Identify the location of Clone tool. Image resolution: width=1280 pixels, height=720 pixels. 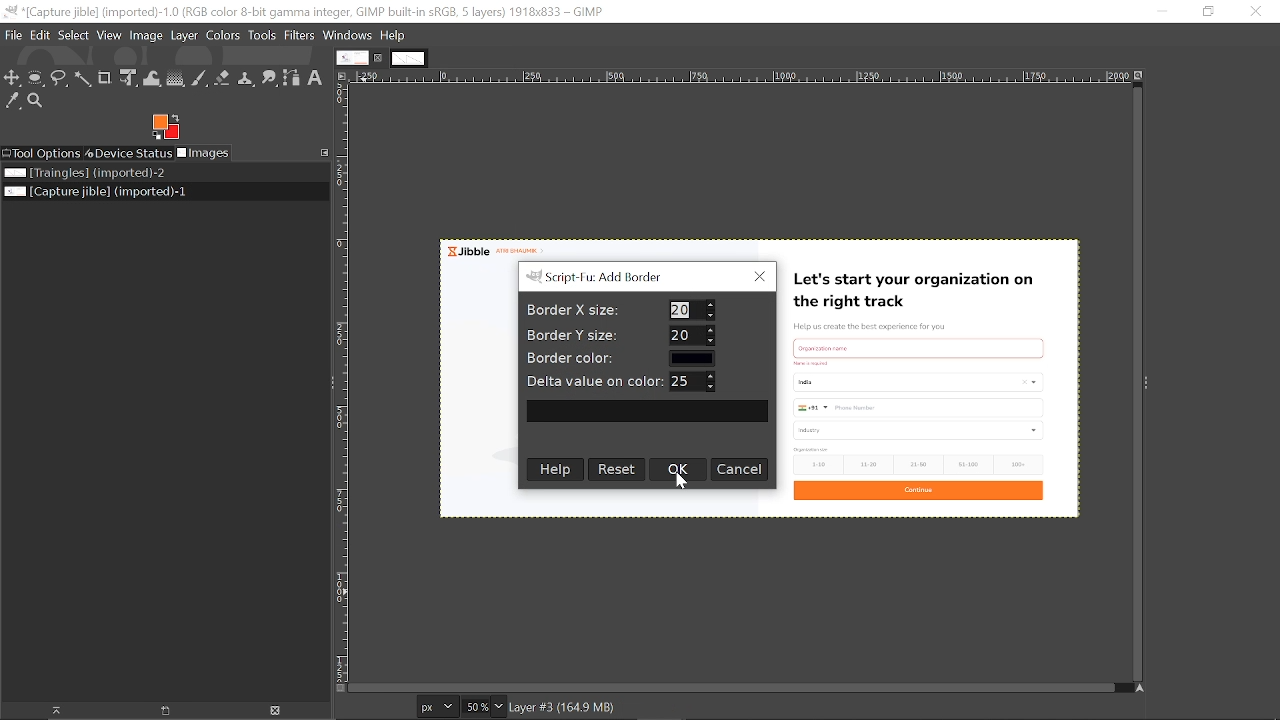
(248, 79).